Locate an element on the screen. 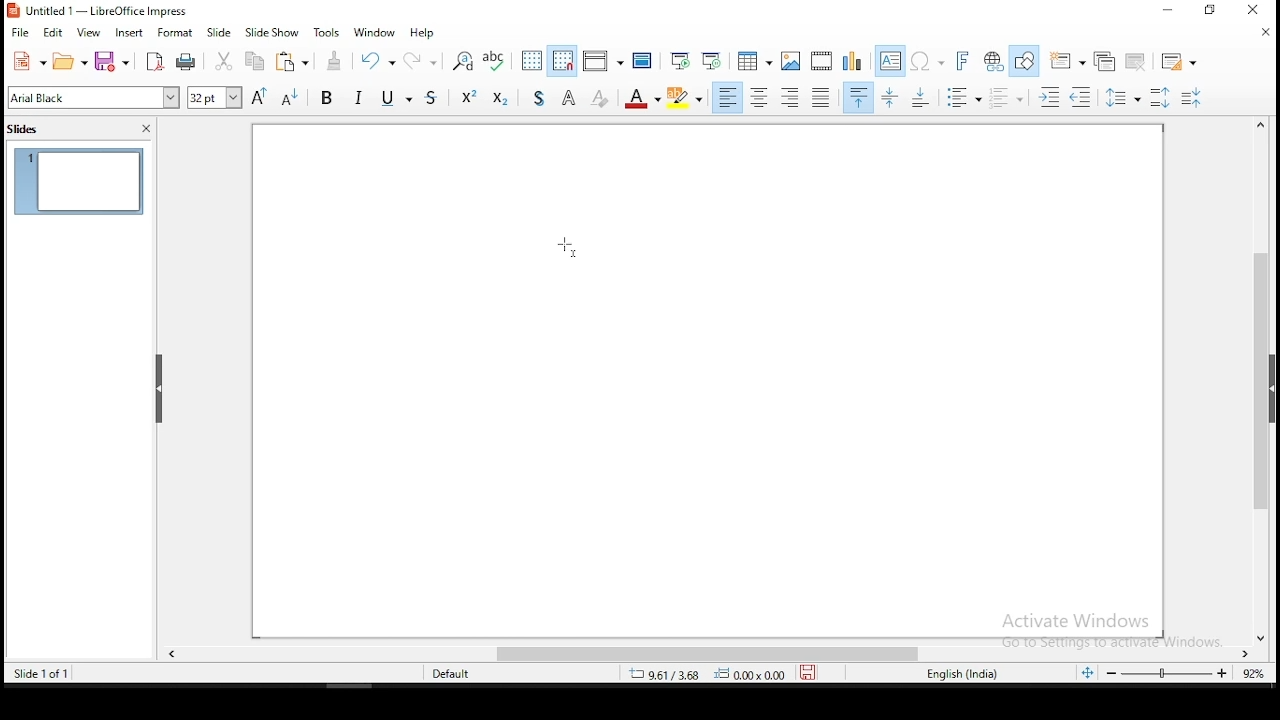 Image resolution: width=1280 pixels, height=720 pixels. scroll bar is located at coordinates (1263, 380).